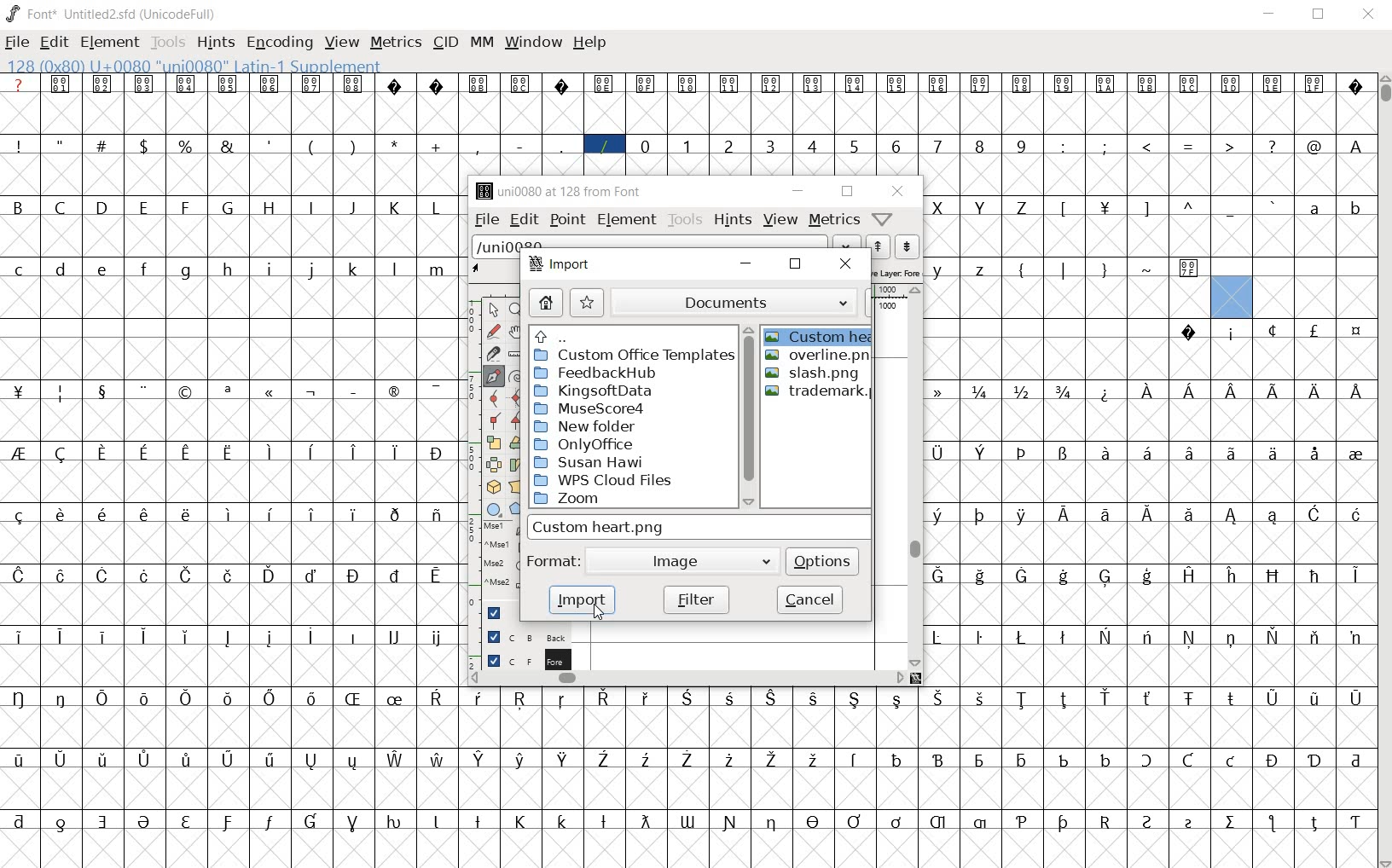  I want to click on glyph, so click(981, 208).